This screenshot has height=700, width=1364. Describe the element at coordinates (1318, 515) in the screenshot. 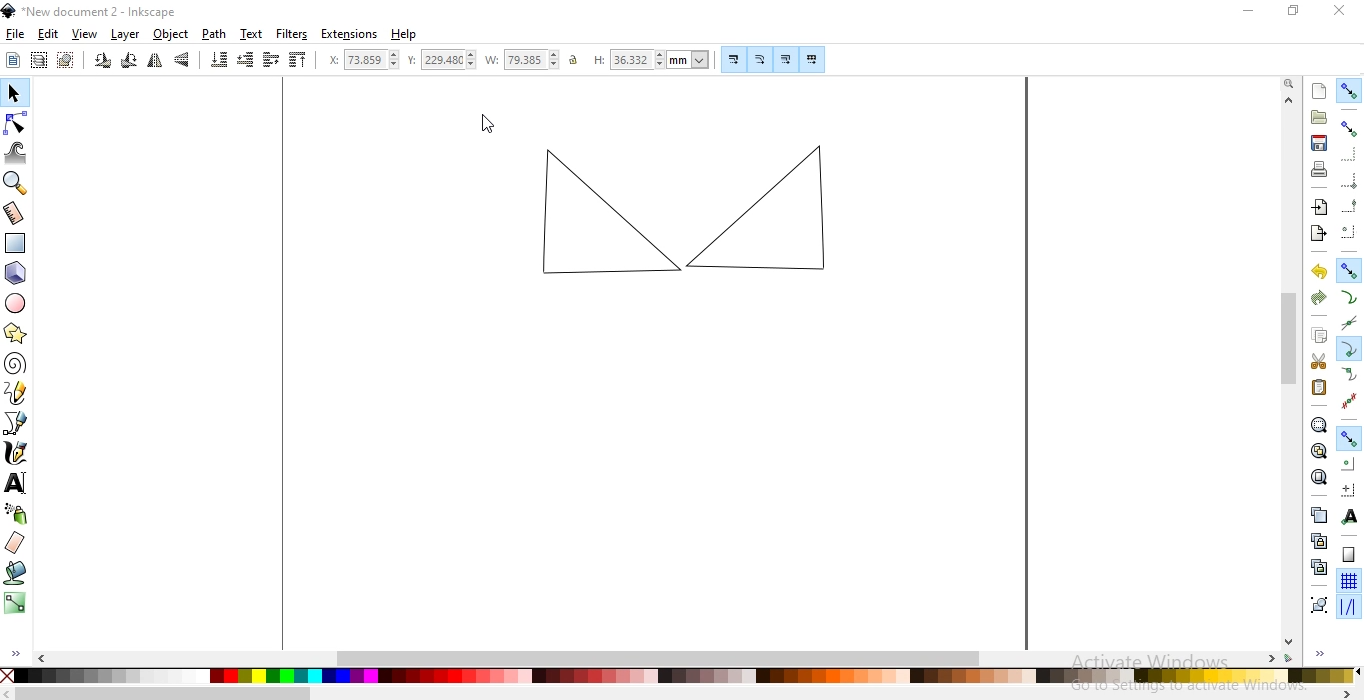

I see `create a duplicate` at that location.